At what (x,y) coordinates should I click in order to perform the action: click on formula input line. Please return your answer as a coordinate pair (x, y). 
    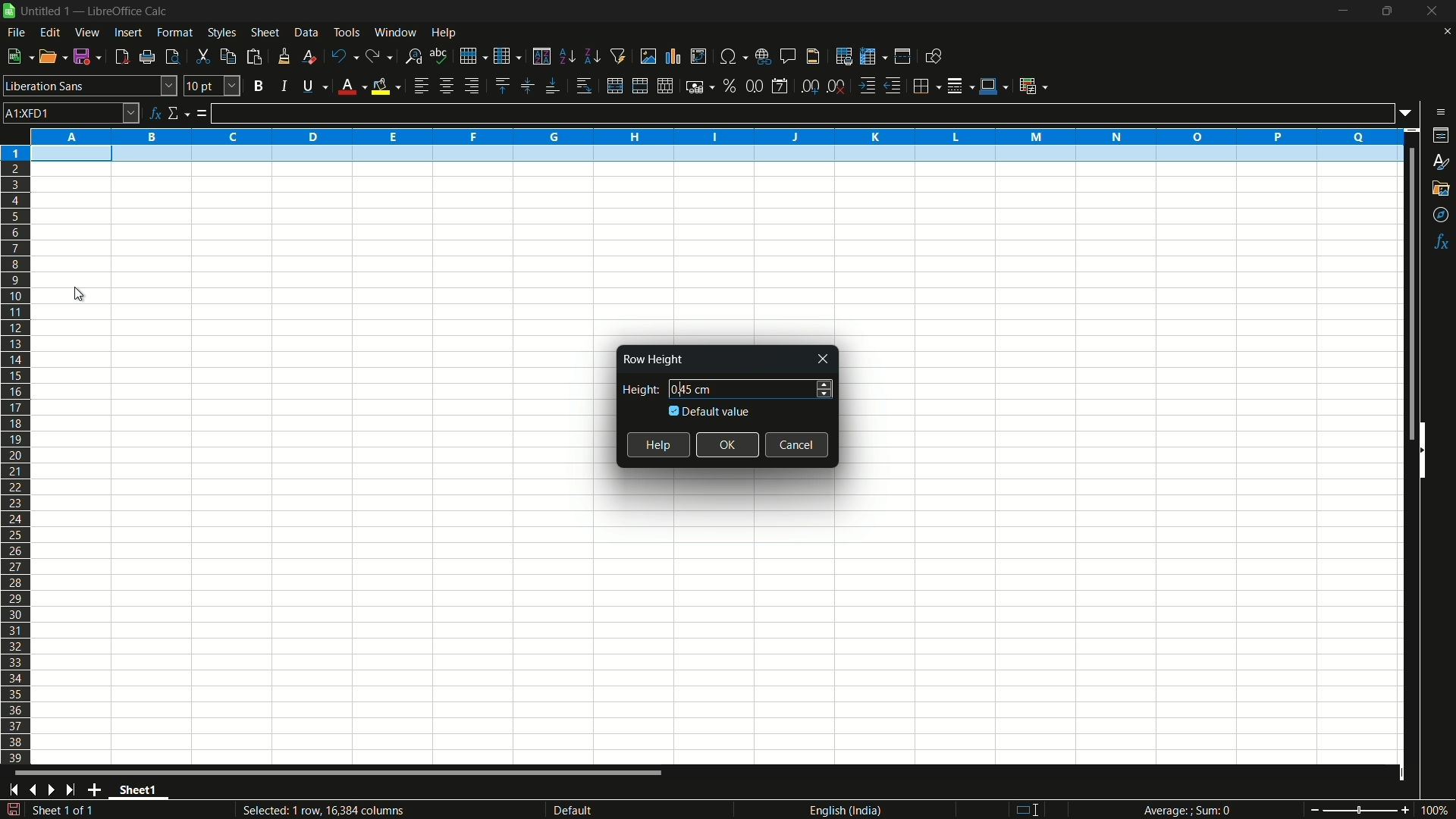
    Looking at the image, I should click on (802, 113).